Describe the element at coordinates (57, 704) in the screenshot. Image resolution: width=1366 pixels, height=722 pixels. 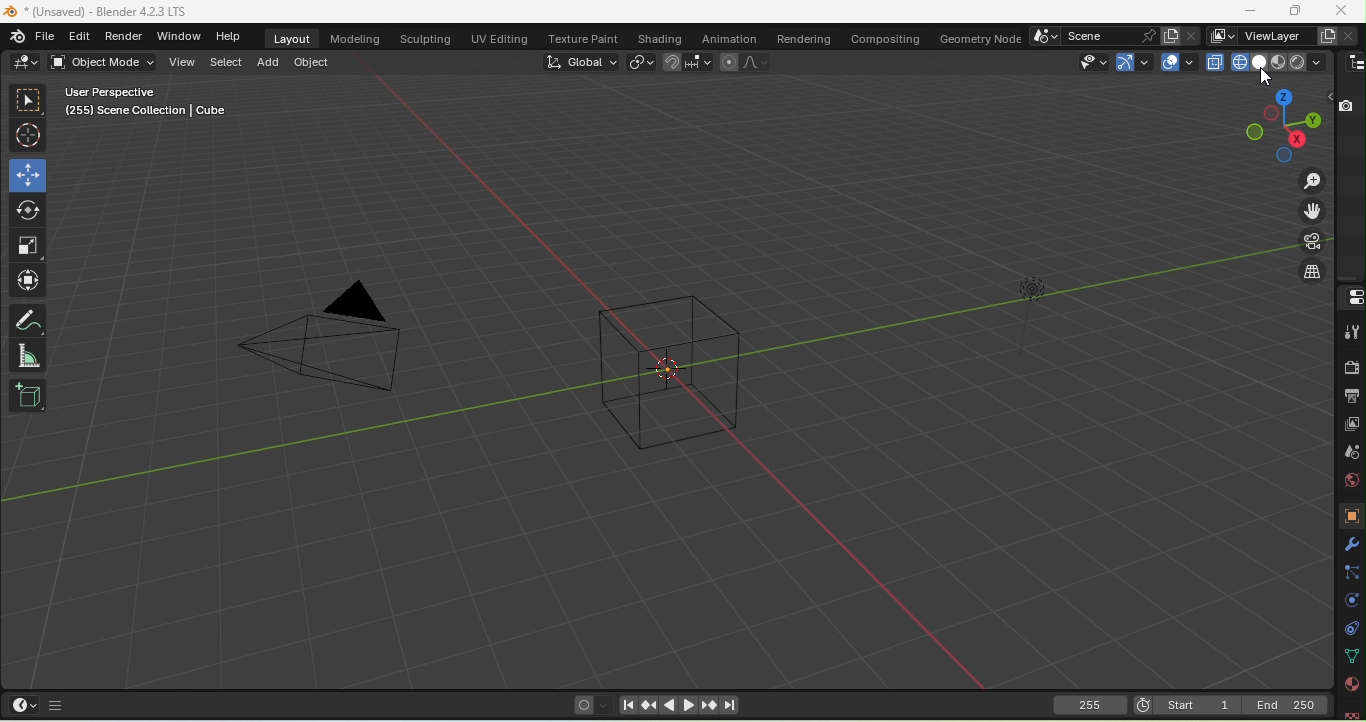
I see `GUI show/hide` at that location.